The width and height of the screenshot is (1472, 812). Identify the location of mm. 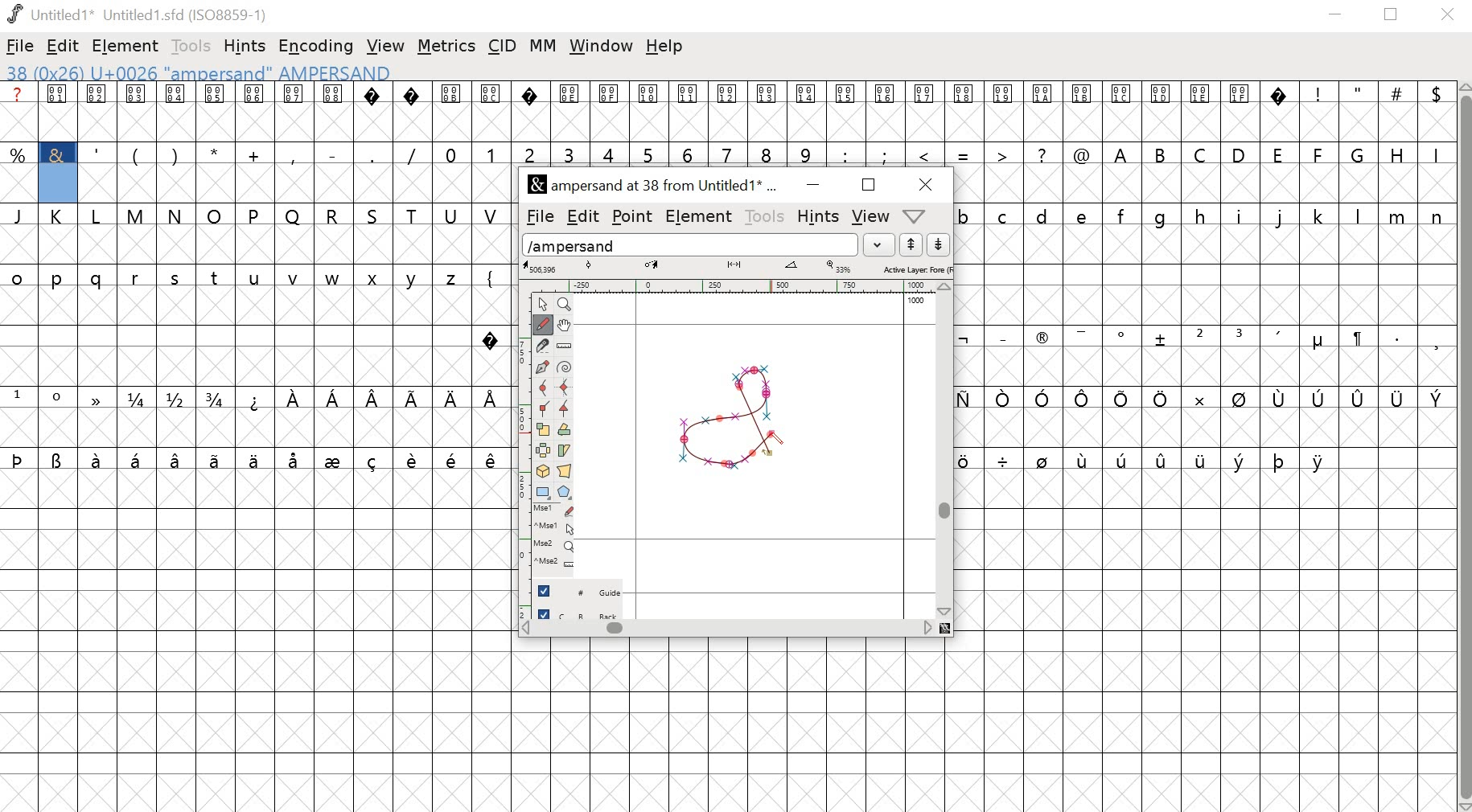
(543, 45).